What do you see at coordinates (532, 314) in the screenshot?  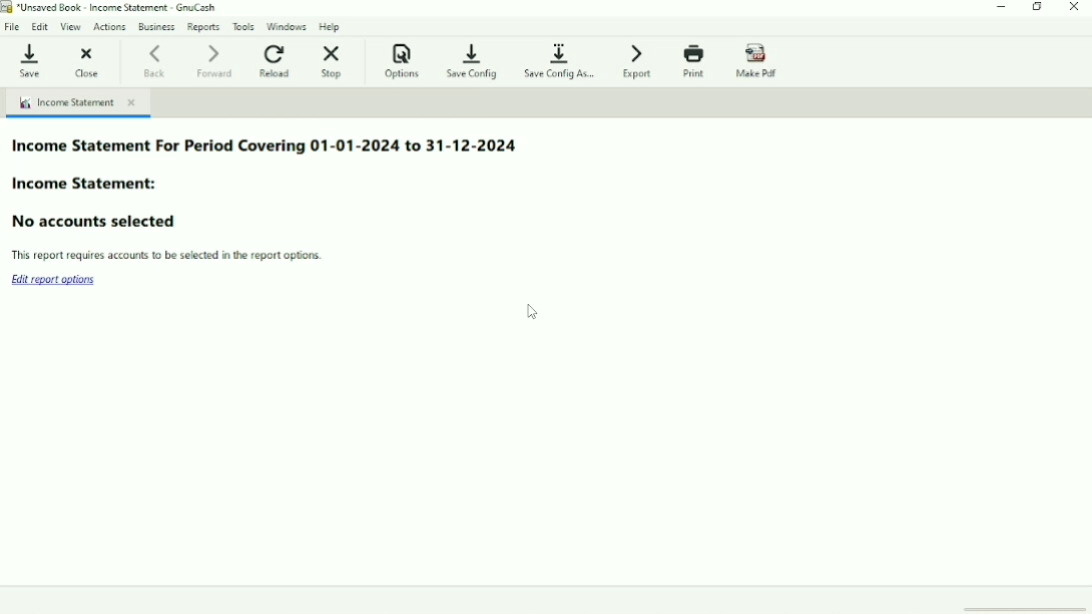 I see `Cursor` at bounding box center [532, 314].